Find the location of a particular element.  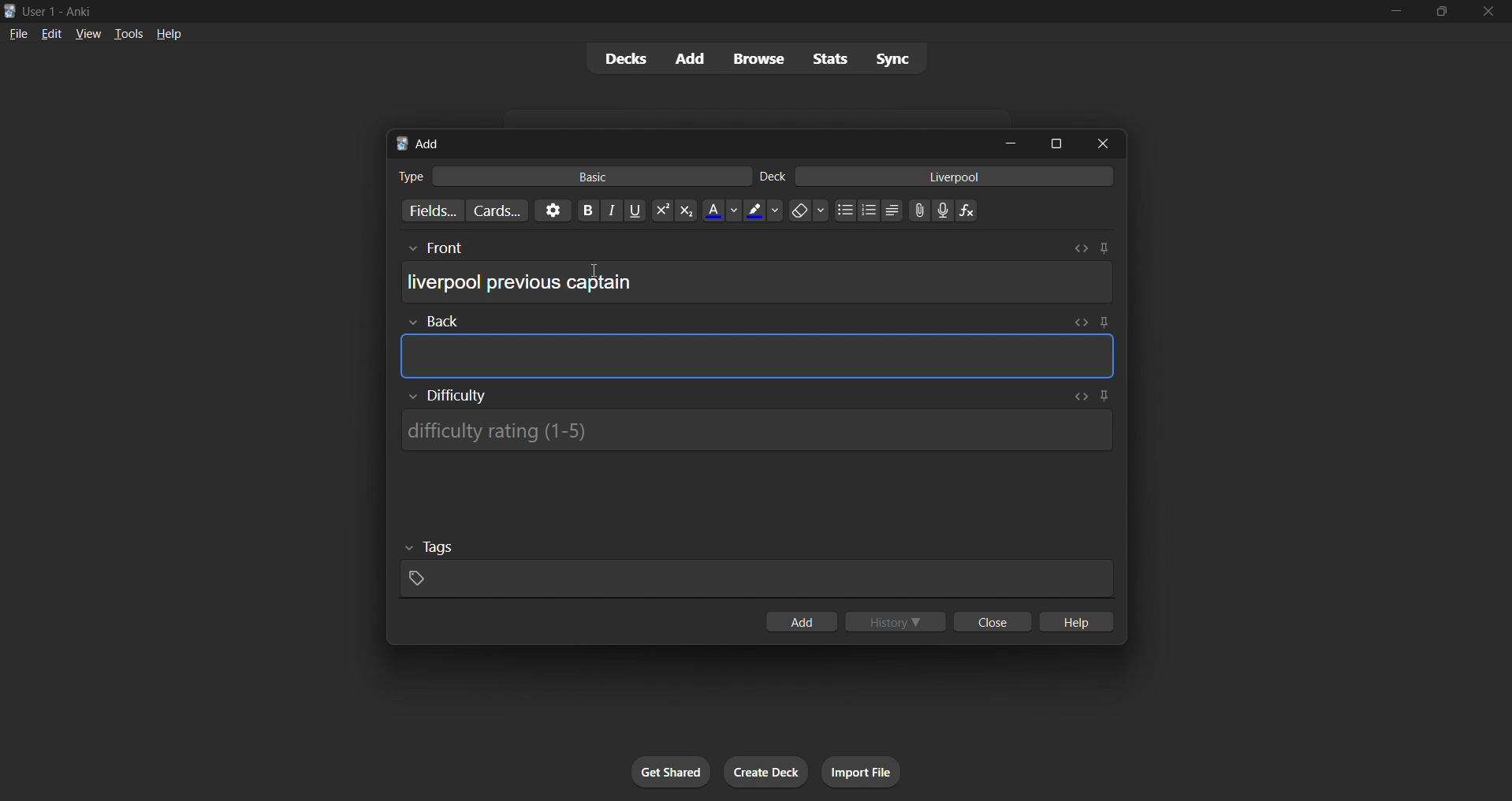

maximize is located at coordinates (1057, 142).